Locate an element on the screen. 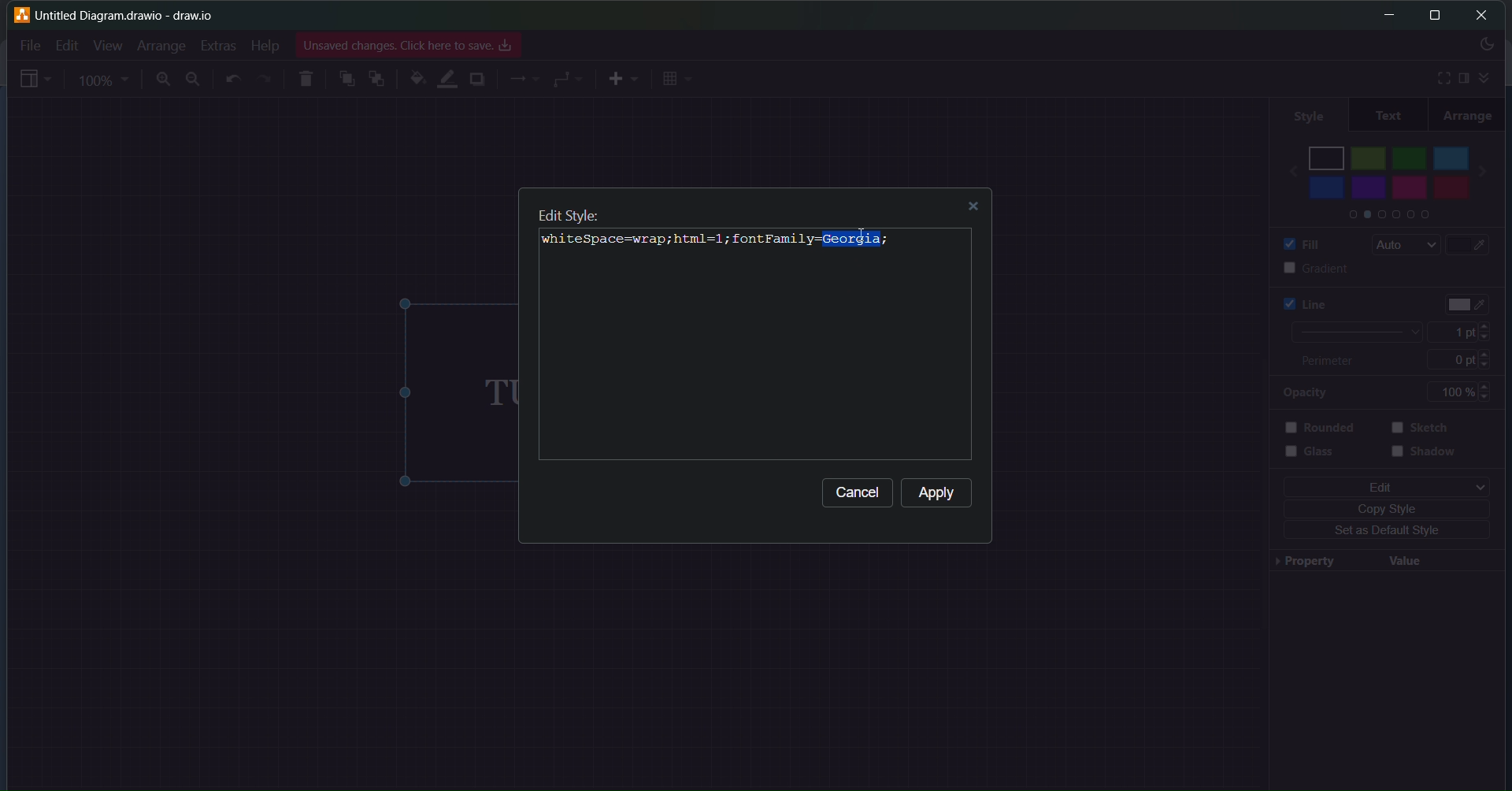 The height and width of the screenshot is (791, 1512). Edit is located at coordinates (63, 45).